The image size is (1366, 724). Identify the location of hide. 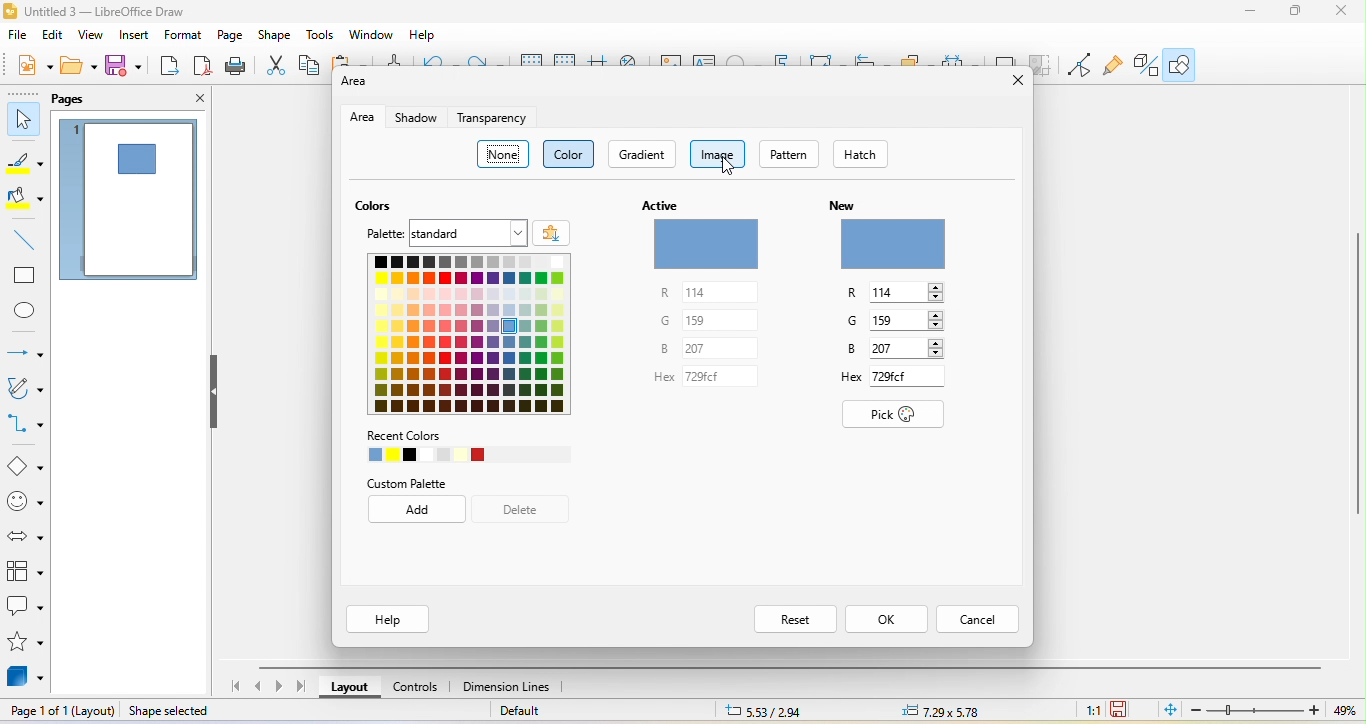
(216, 400).